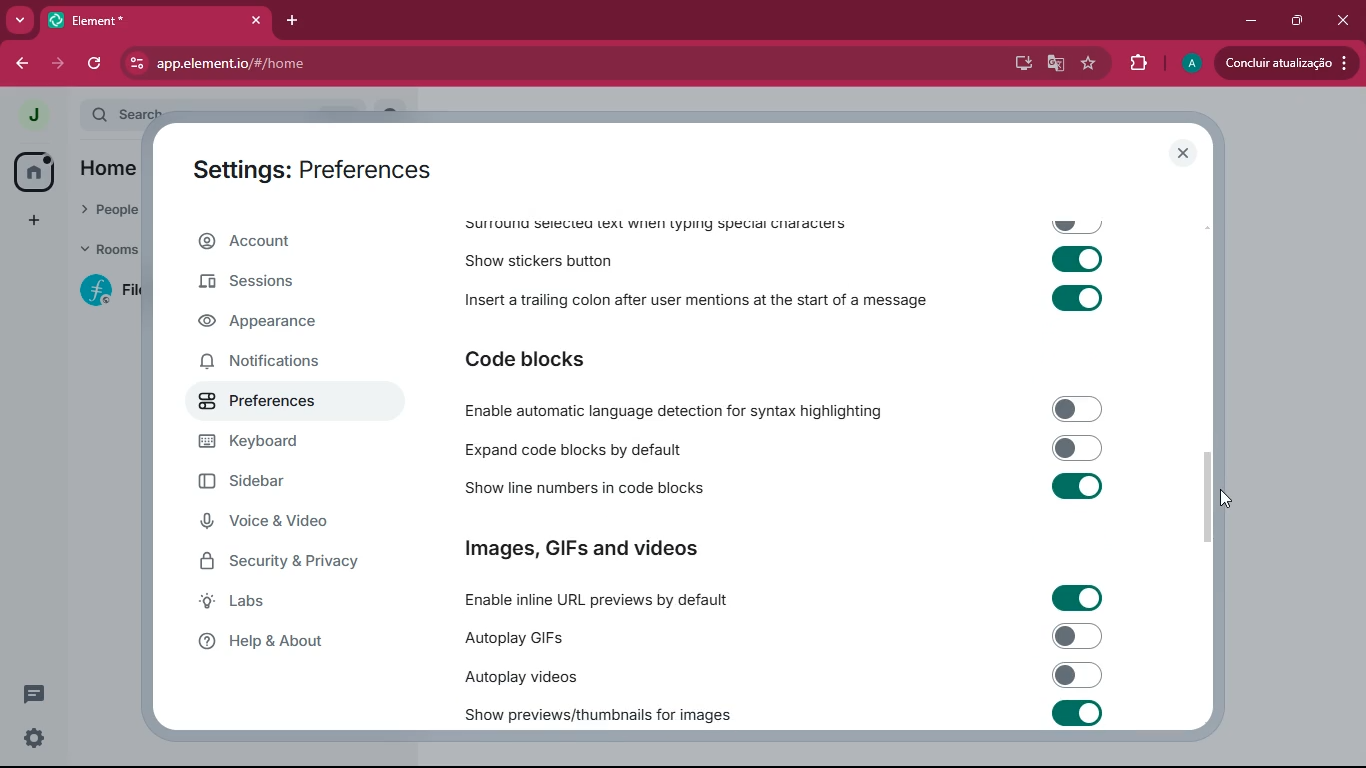  I want to click on desktop, so click(1016, 64).